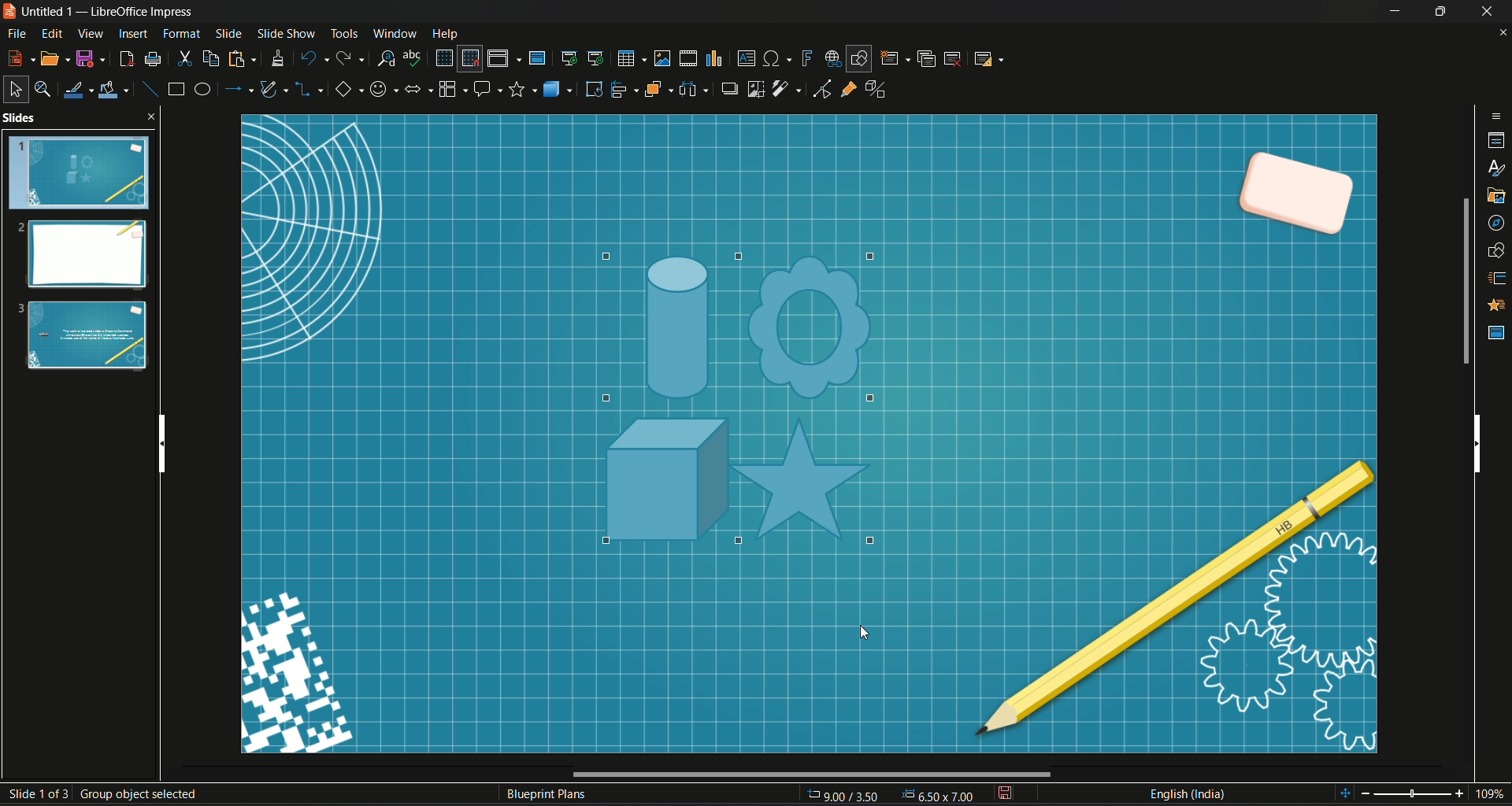 The height and width of the screenshot is (806, 1512). What do you see at coordinates (313, 57) in the screenshot?
I see `undo` at bounding box center [313, 57].